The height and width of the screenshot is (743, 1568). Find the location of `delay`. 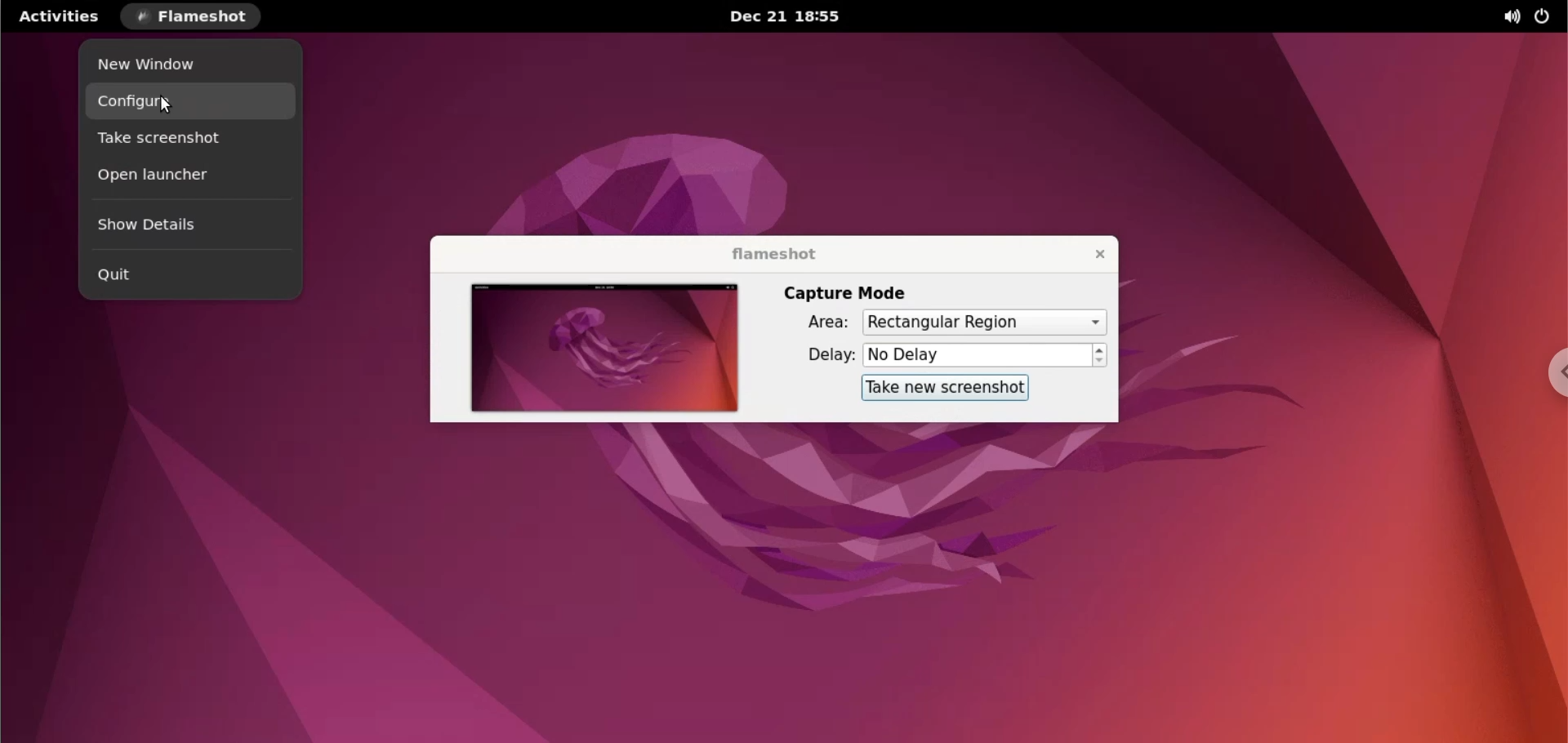

delay is located at coordinates (825, 354).